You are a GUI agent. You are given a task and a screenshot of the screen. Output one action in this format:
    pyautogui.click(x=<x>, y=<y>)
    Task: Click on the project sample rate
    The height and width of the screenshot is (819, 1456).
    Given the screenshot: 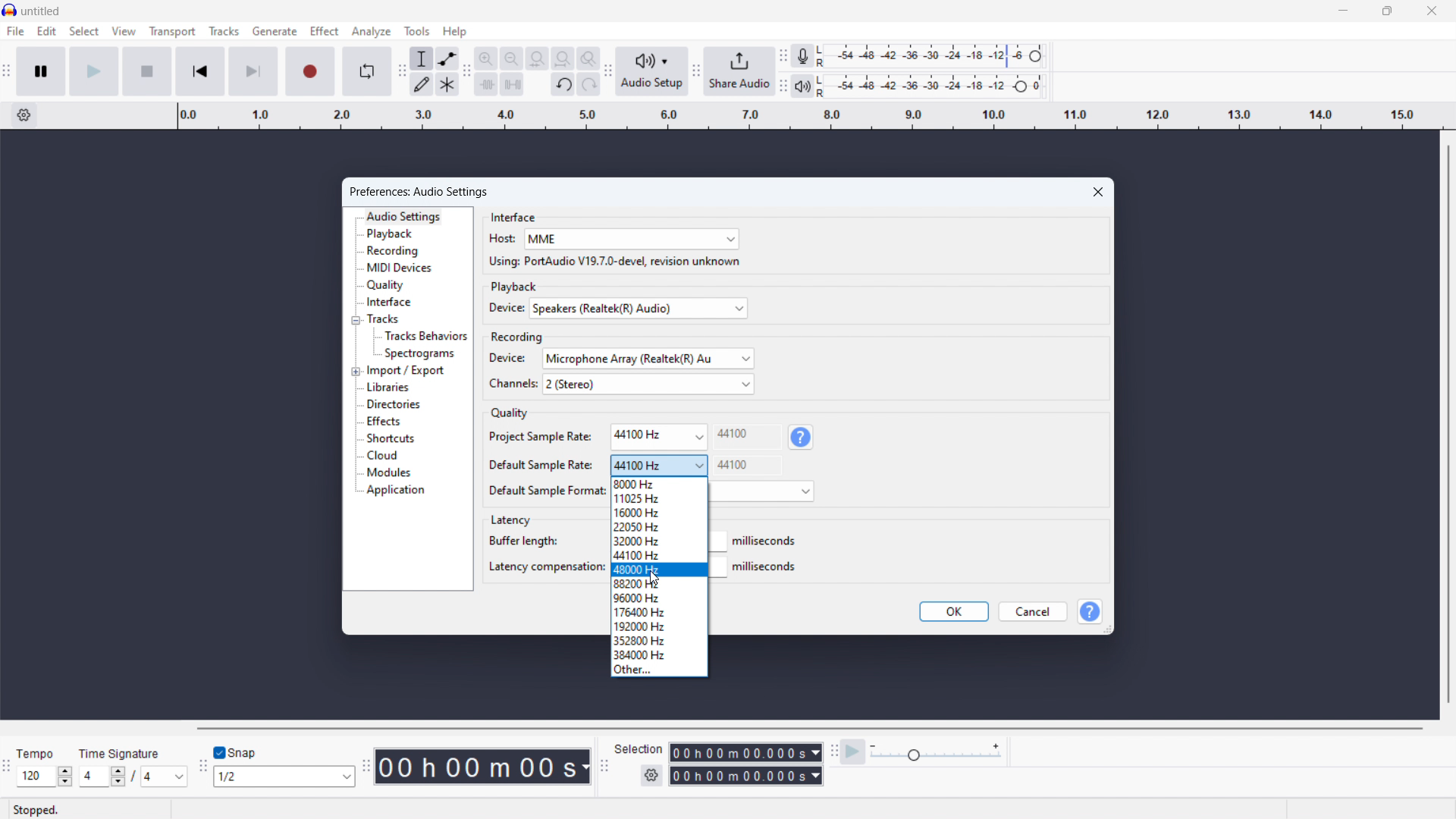 What is the action you would take?
    pyautogui.click(x=658, y=437)
    